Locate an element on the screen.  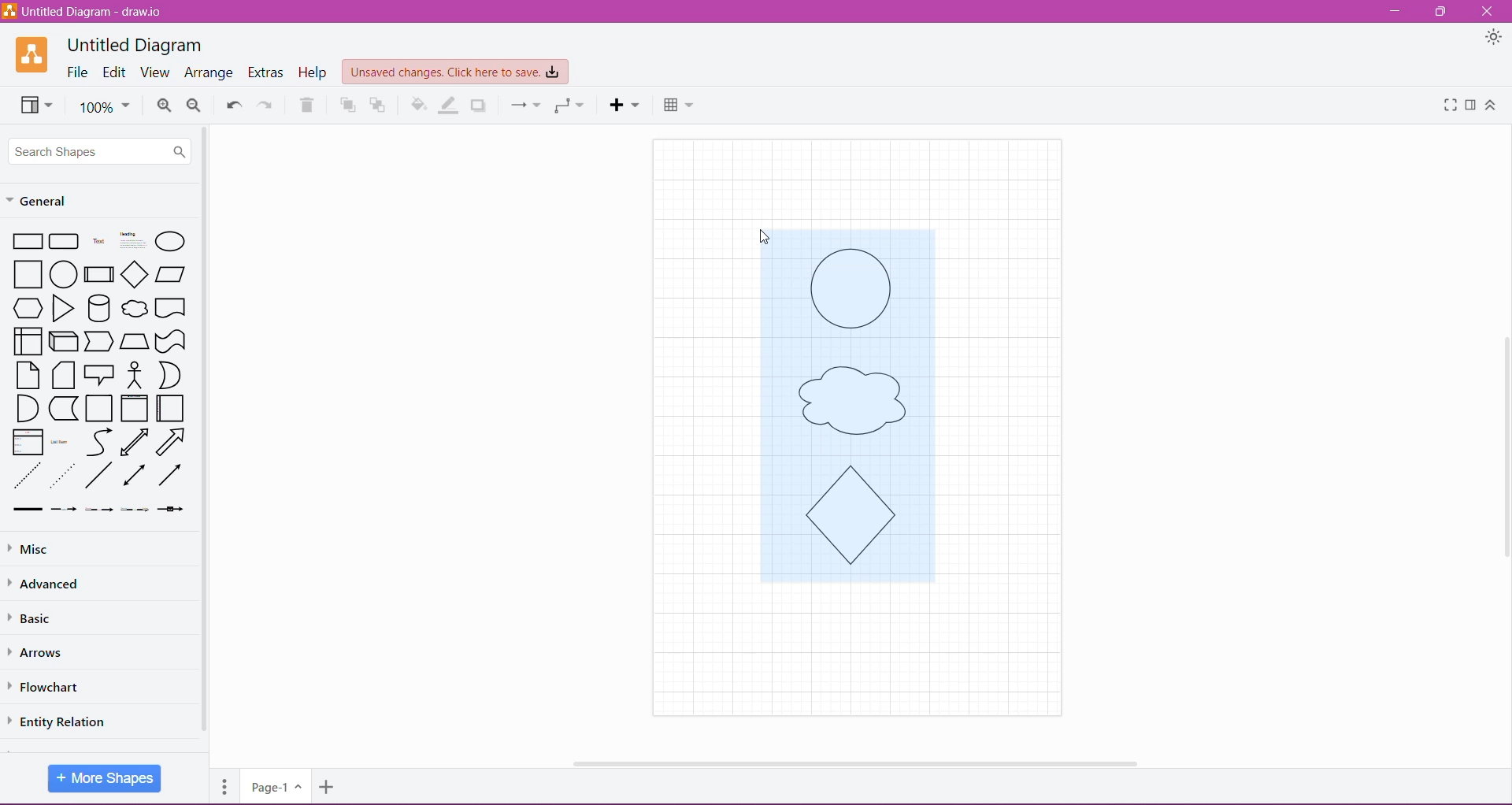
Line Color is located at coordinates (450, 105).